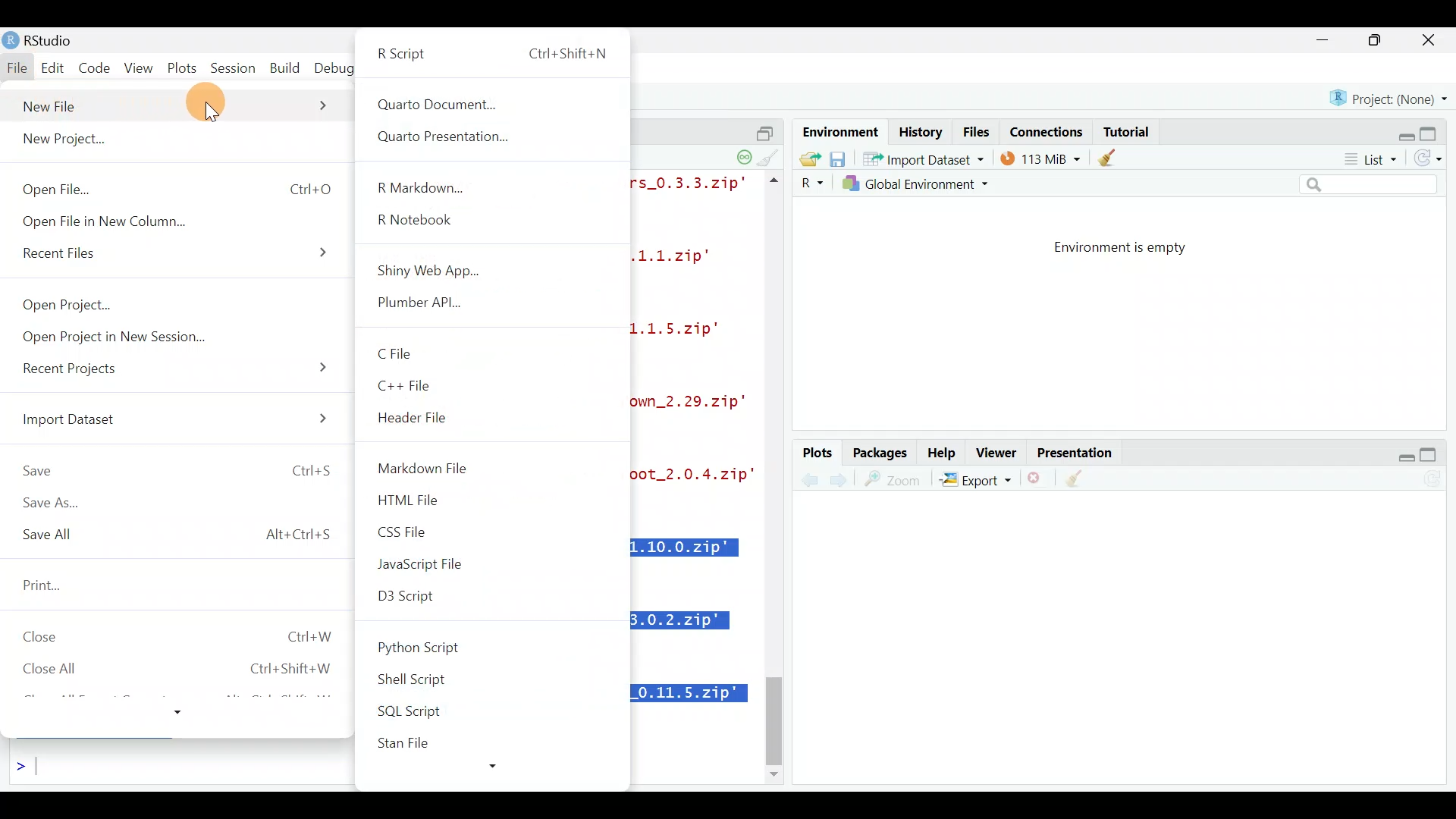 This screenshot has width=1456, height=819. I want to click on Recent Files, so click(177, 256).